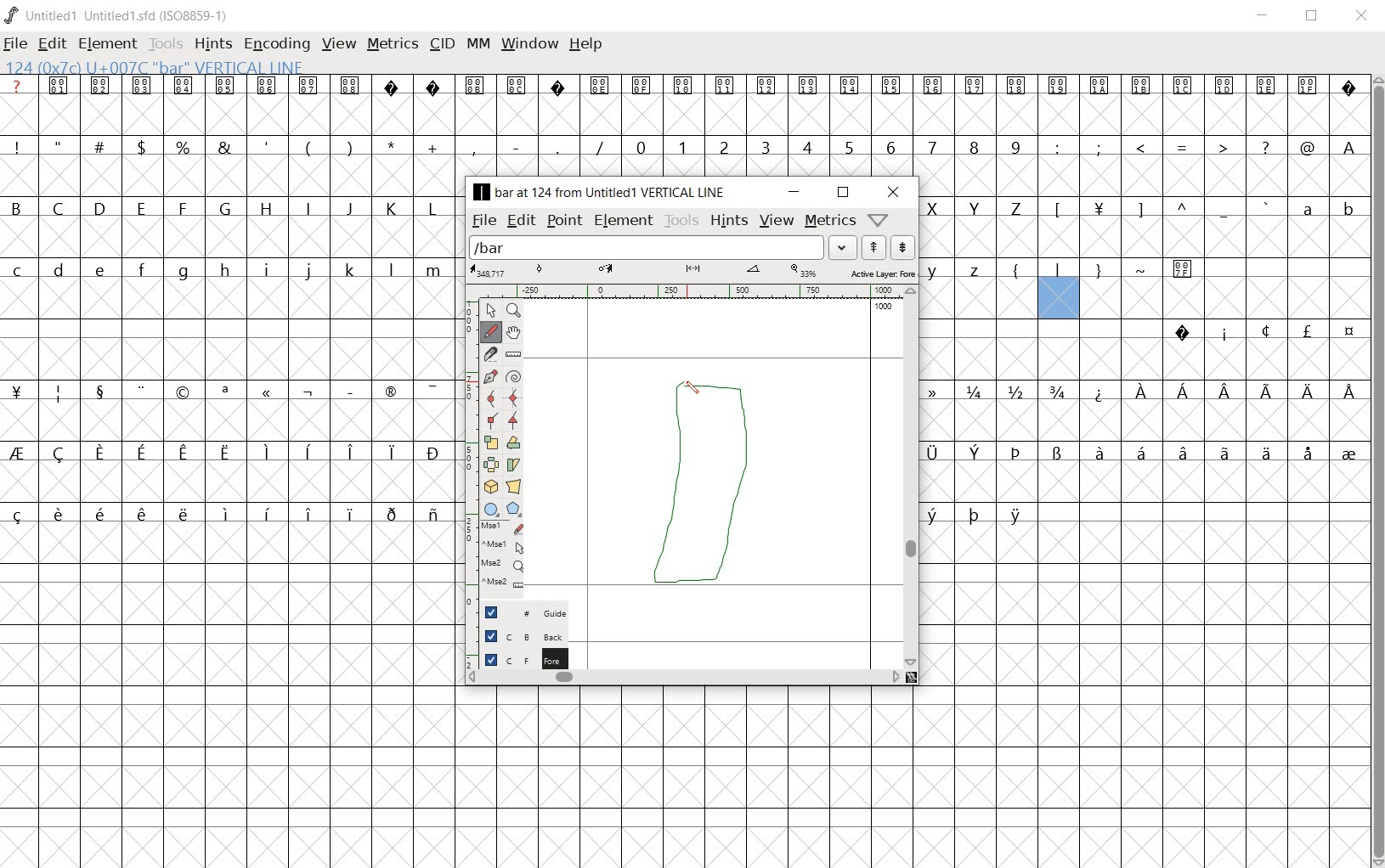  What do you see at coordinates (489, 486) in the screenshot?
I see `rotate the selection in 3D and project back to plane` at bounding box center [489, 486].